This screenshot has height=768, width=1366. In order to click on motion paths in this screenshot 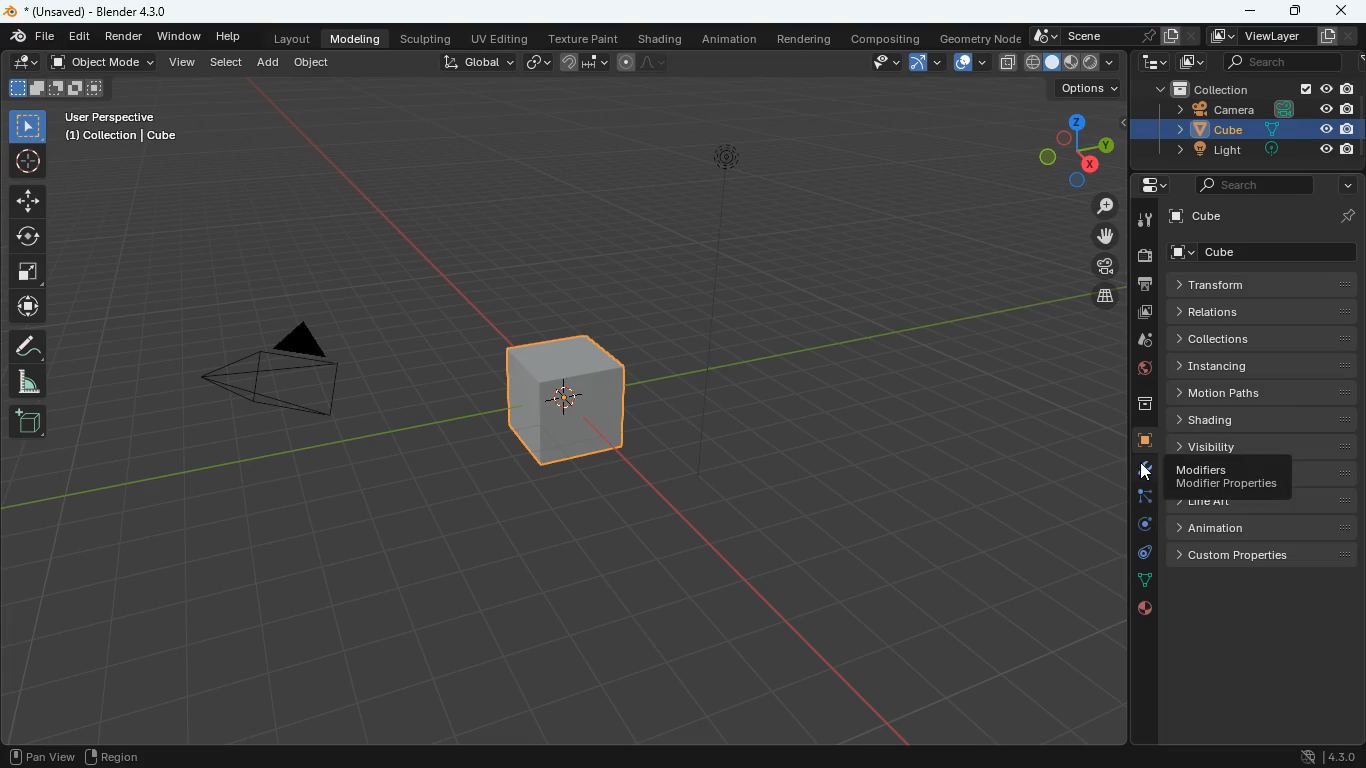, I will do `click(1263, 393)`.